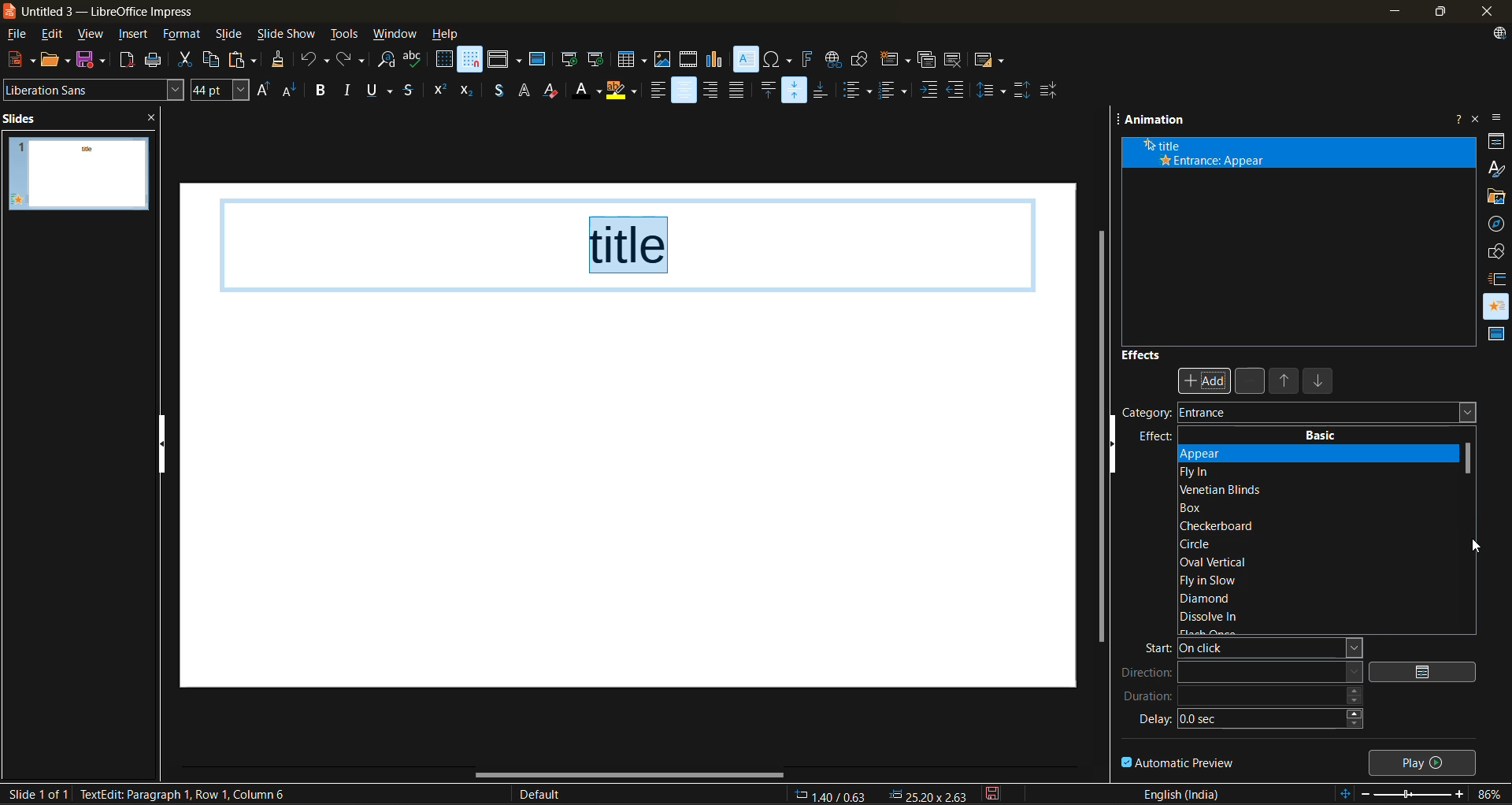  I want to click on vertical scroll bar, so click(1102, 429).